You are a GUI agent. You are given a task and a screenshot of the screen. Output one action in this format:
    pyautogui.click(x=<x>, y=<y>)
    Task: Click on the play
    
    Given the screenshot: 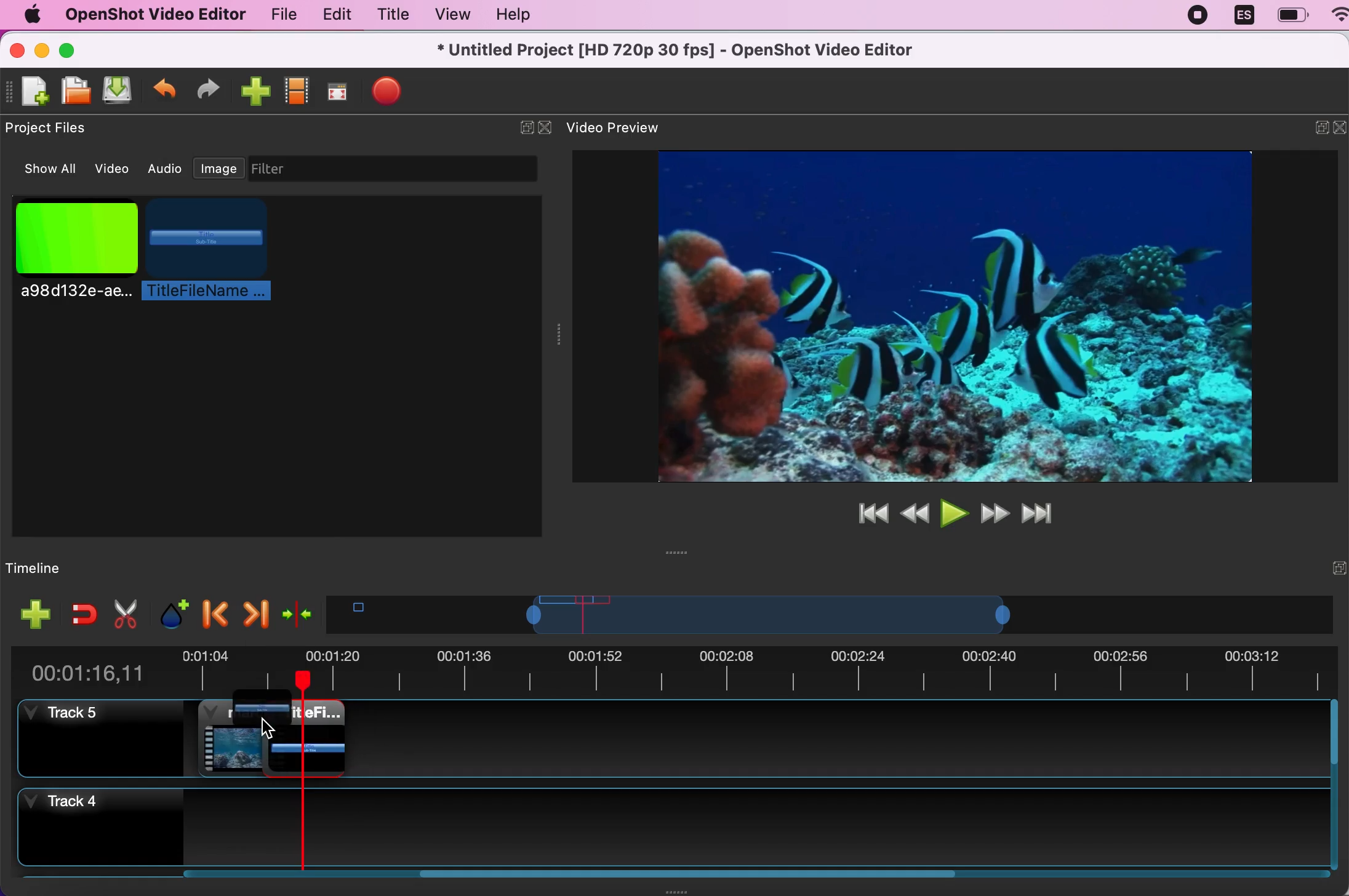 What is the action you would take?
    pyautogui.click(x=953, y=511)
    